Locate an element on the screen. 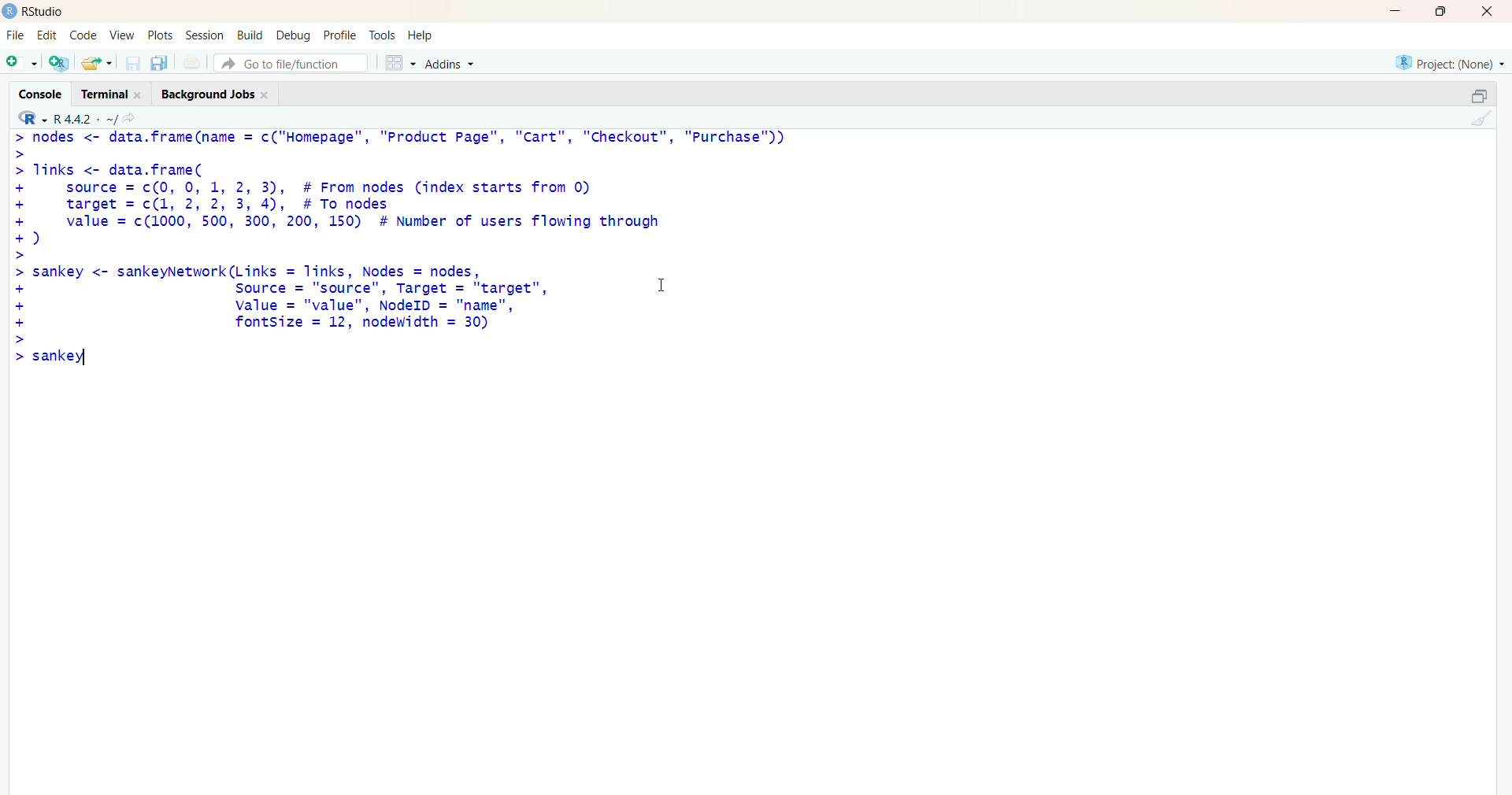 Image resolution: width=1512 pixels, height=795 pixels. exit is located at coordinates (1485, 13).